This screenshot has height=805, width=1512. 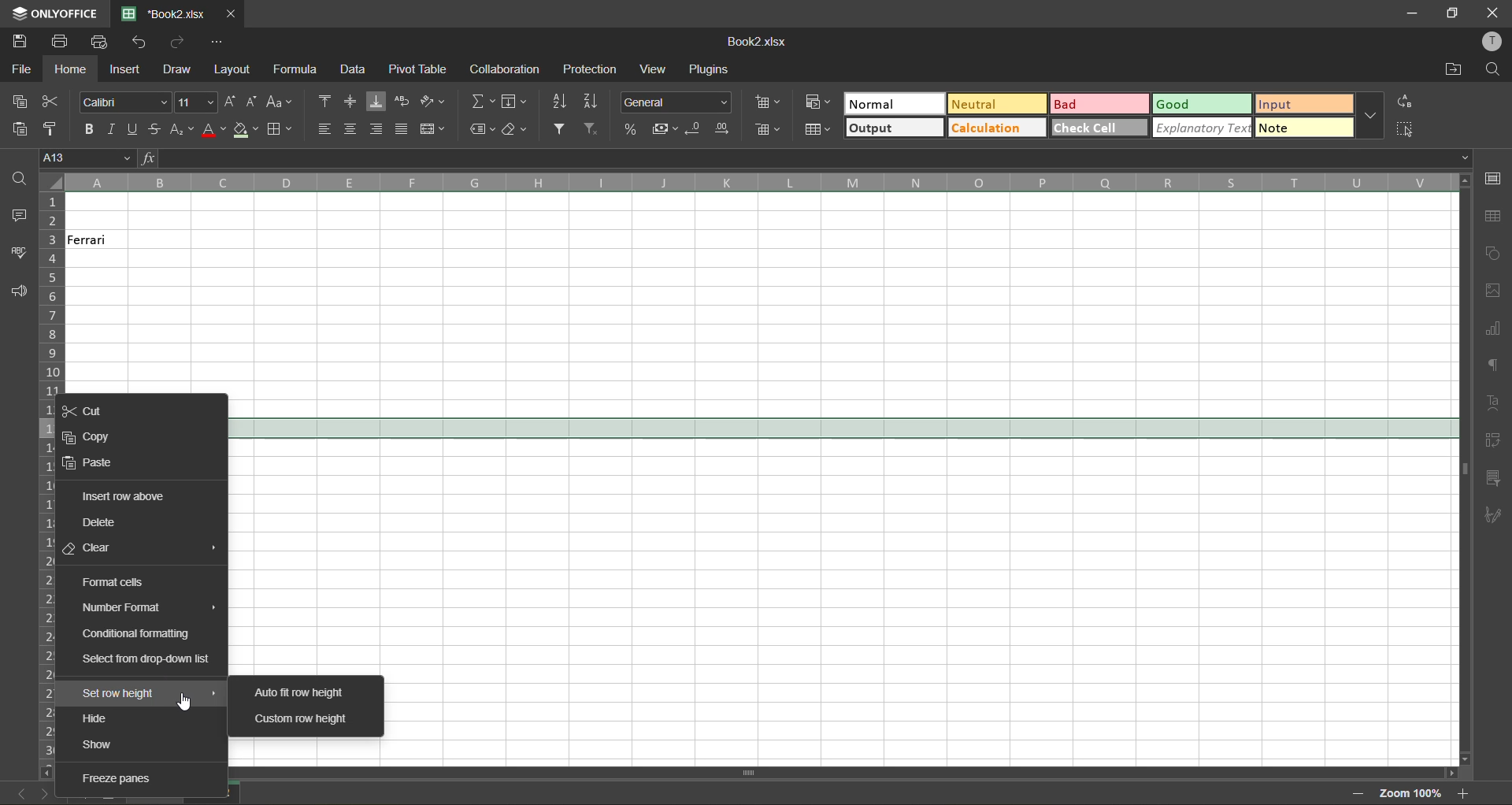 What do you see at coordinates (1101, 106) in the screenshot?
I see `bad` at bounding box center [1101, 106].